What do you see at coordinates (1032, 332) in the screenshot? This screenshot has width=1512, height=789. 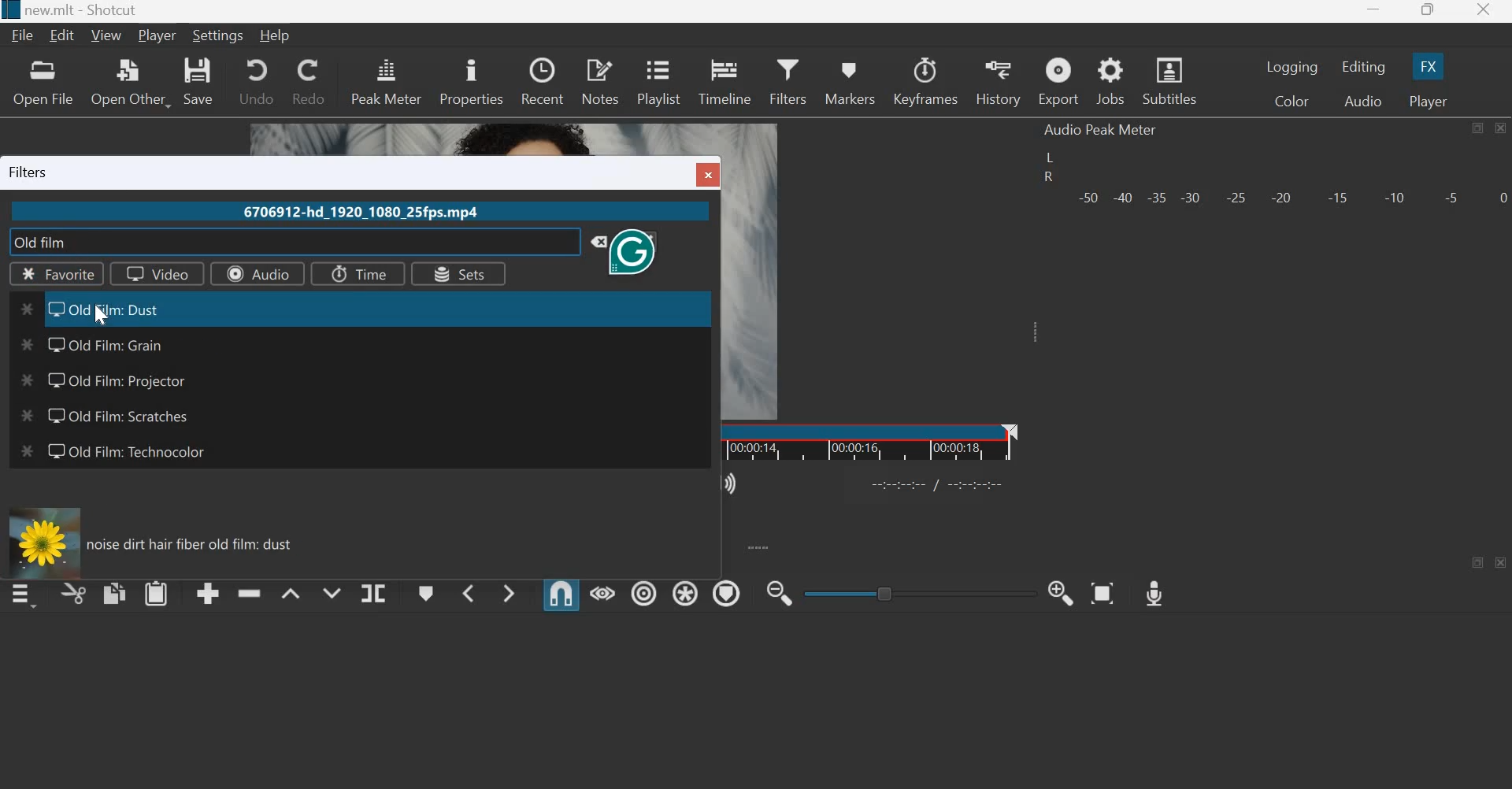 I see `Expand` at bounding box center [1032, 332].